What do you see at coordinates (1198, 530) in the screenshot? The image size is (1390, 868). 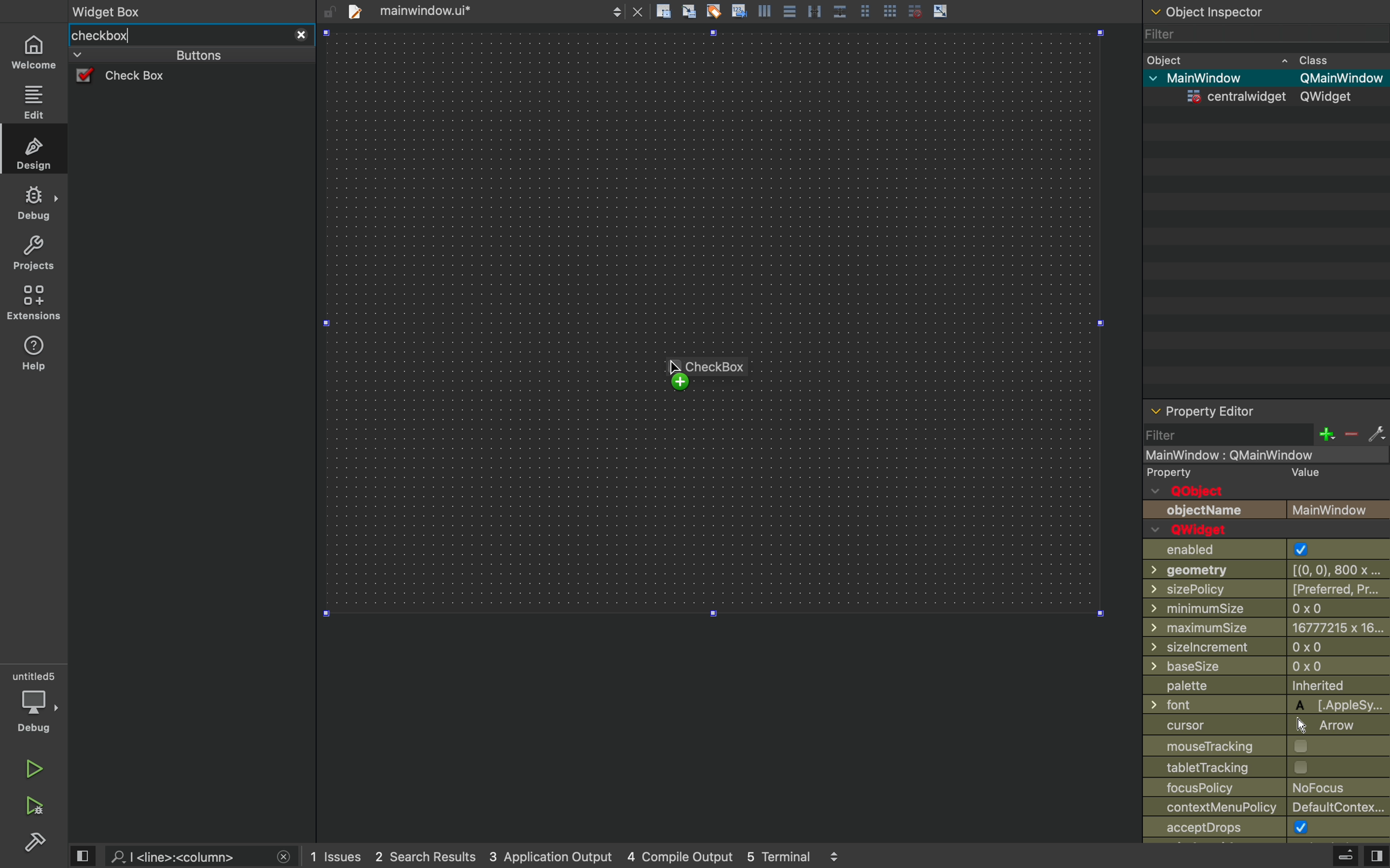 I see `qwidget` at bounding box center [1198, 530].